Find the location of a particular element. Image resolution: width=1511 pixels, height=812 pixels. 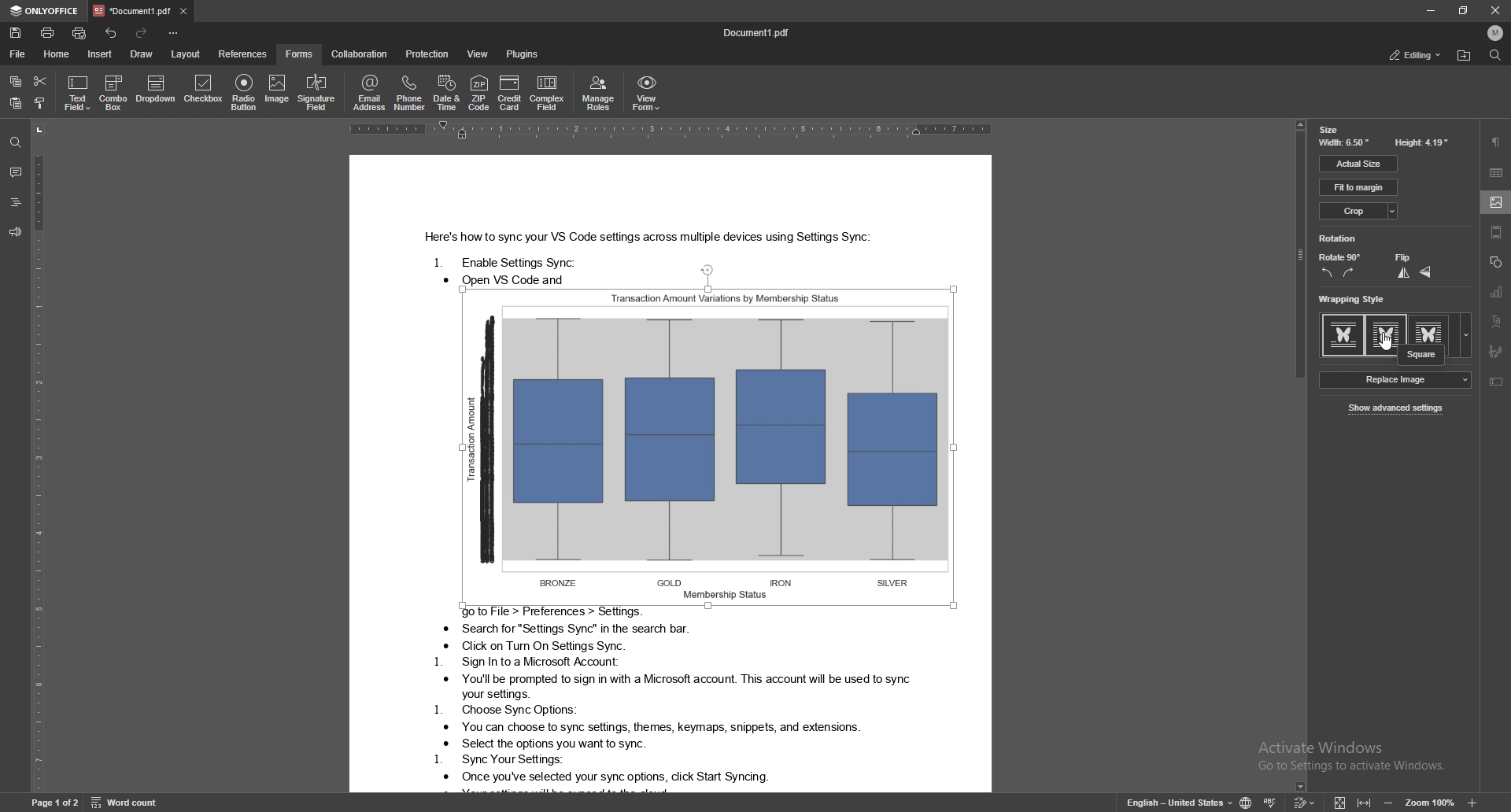

scroll bar is located at coordinates (1301, 456).